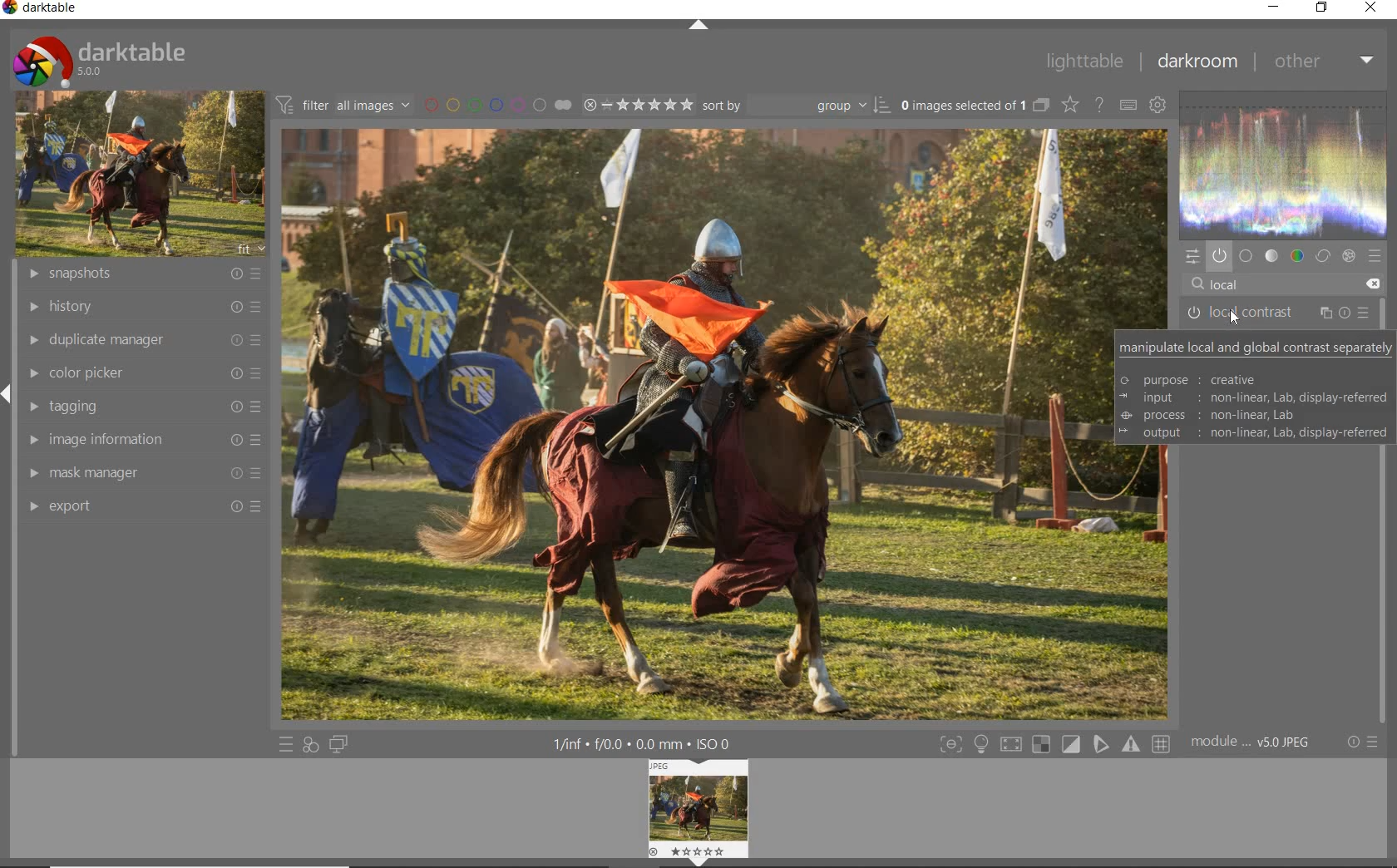 The height and width of the screenshot is (868, 1397). Describe the element at coordinates (141, 174) in the screenshot. I see `image` at that location.